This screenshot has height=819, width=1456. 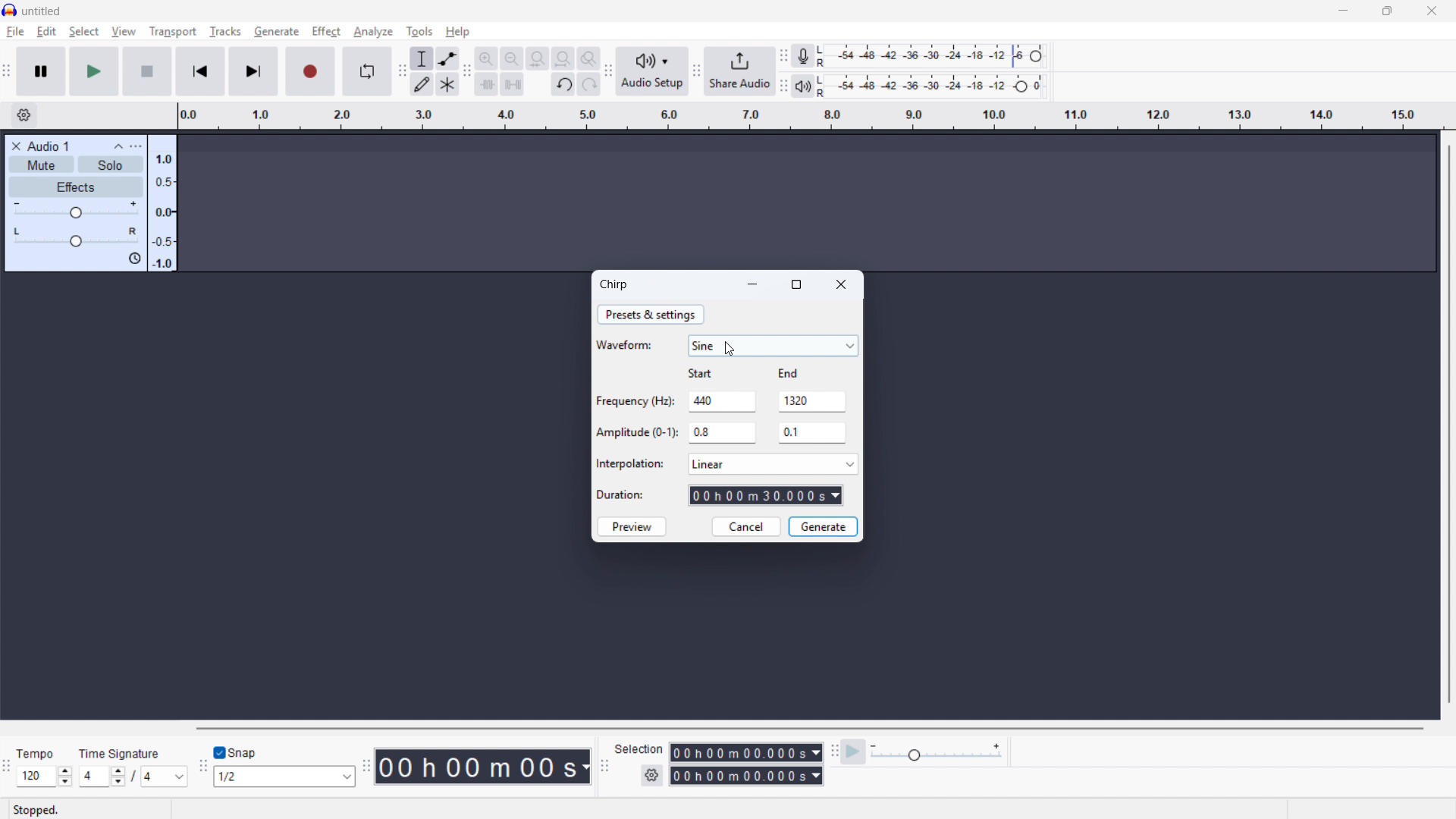 I want to click on Selection settings , so click(x=651, y=777).